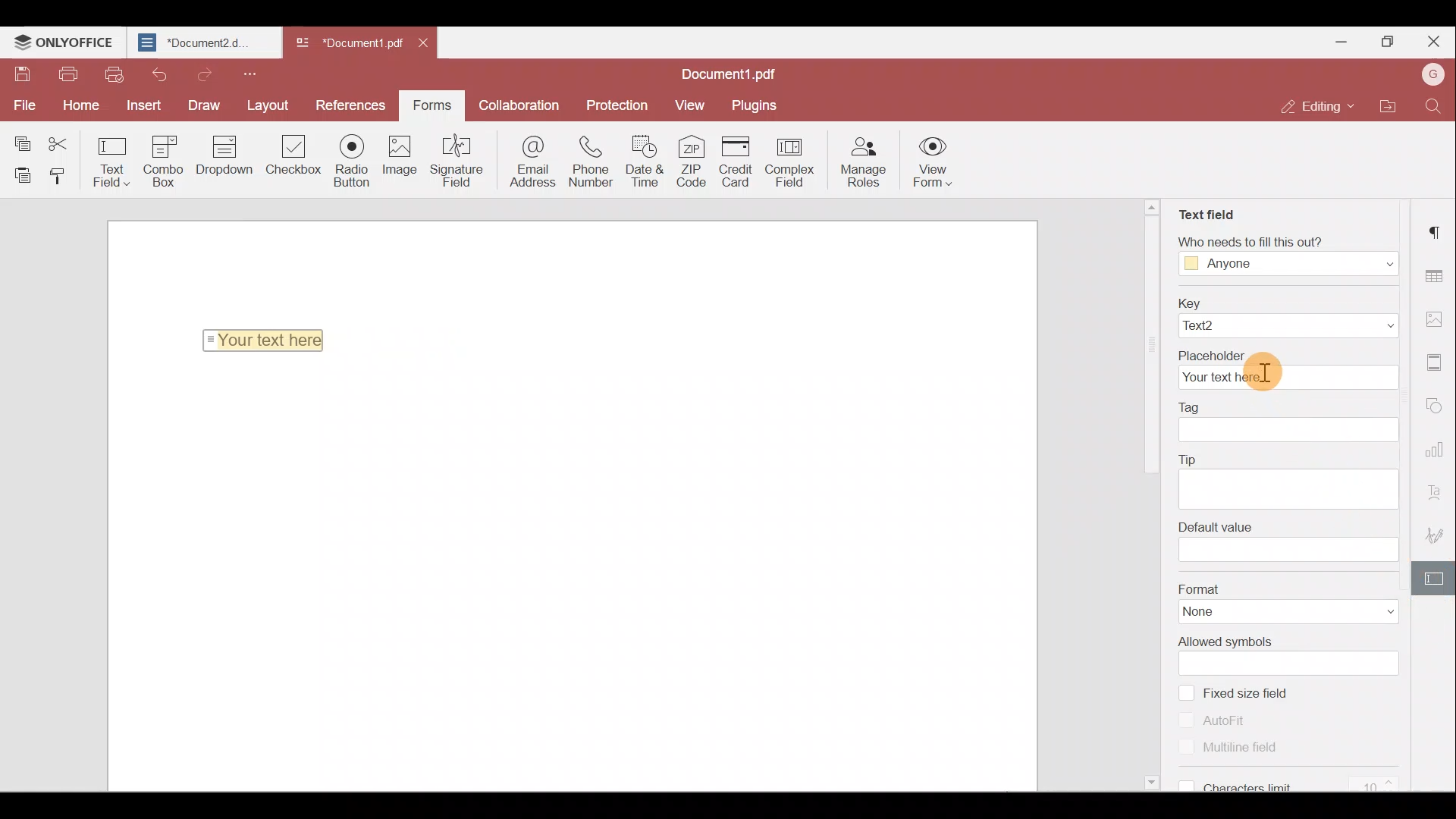 Image resolution: width=1456 pixels, height=819 pixels. Describe the element at coordinates (115, 76) in the screenshot. I see `Quick print` at that location.